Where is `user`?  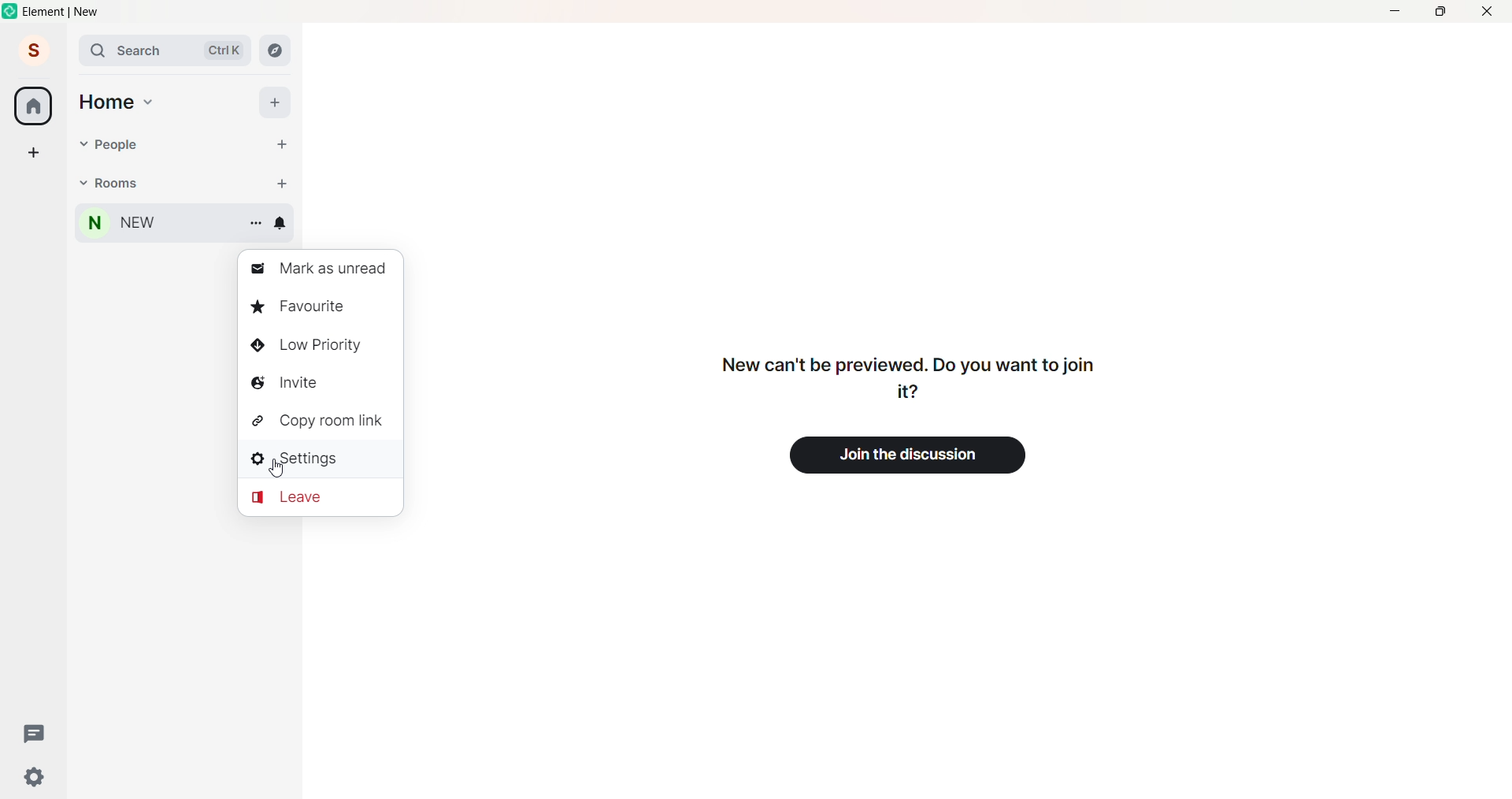
user is located at coordinates (34, 50).